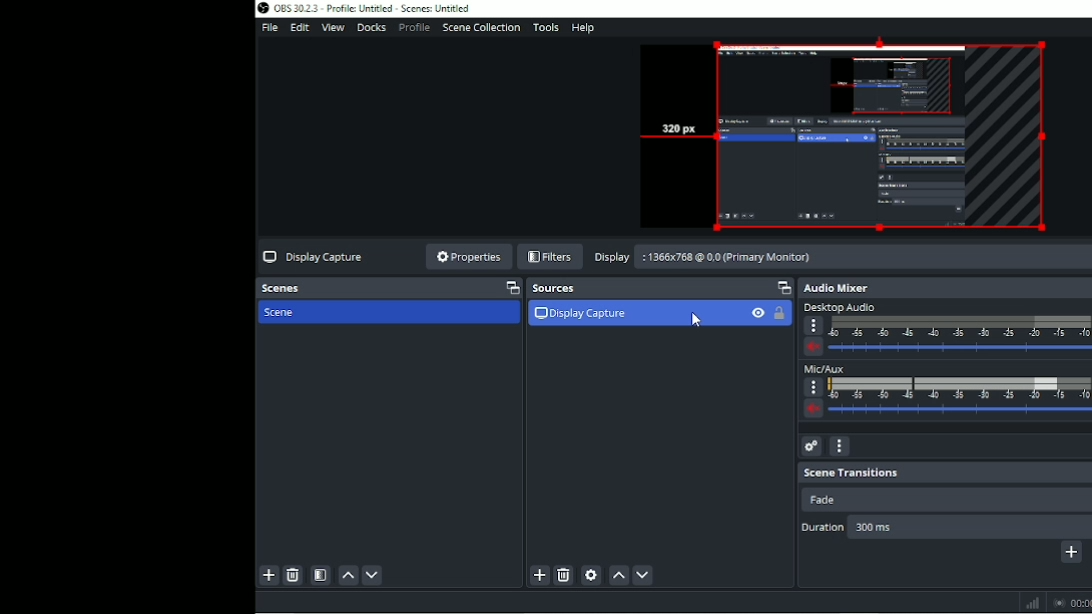 This screenshot has height=614, width=1092. What do you see at coordinates (480, 28) in the screenshot?
I see `Scene collection` at bounding box center [480, 28].